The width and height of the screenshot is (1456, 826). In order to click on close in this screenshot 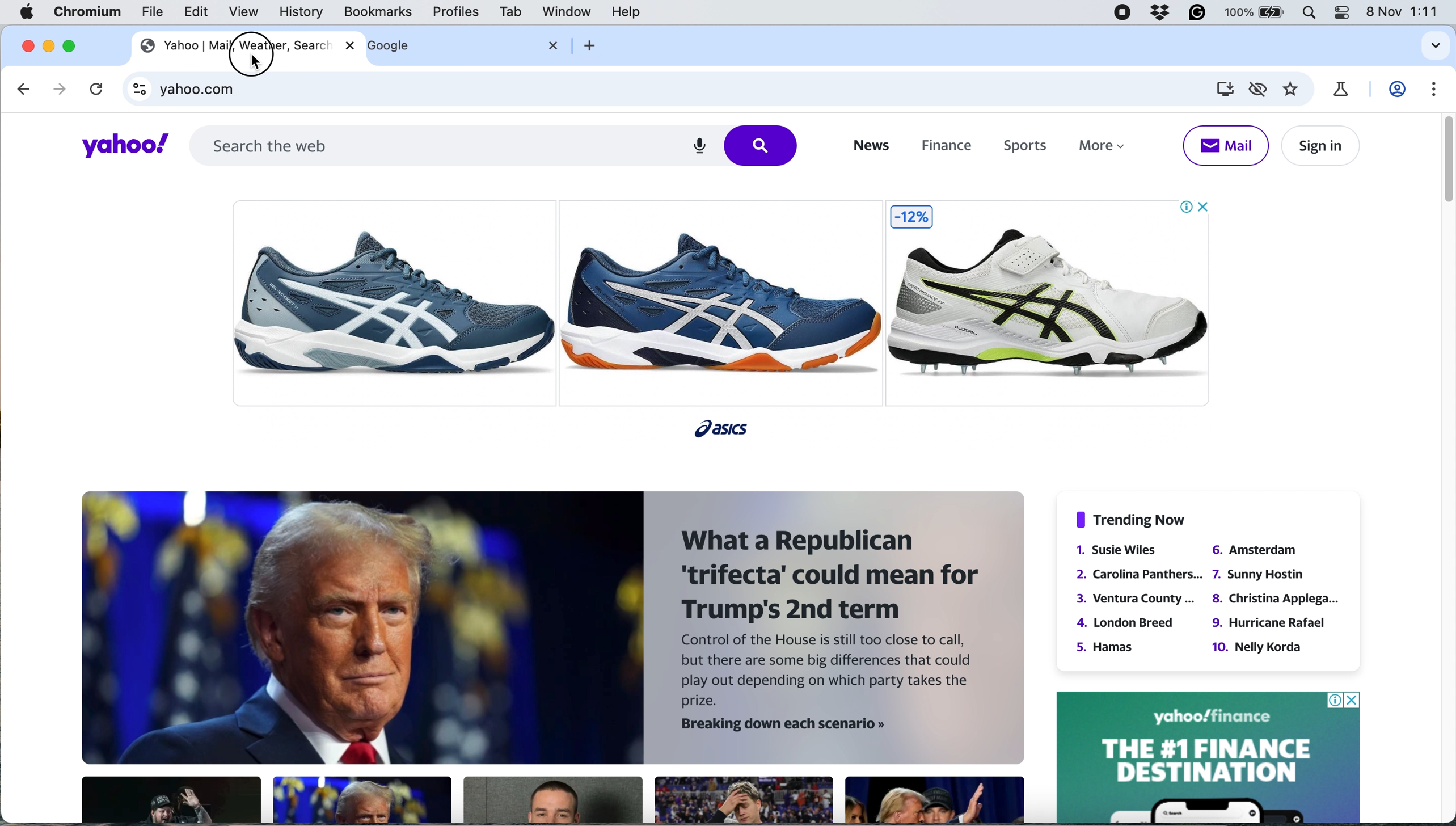, I will do `click(555, 45)`.